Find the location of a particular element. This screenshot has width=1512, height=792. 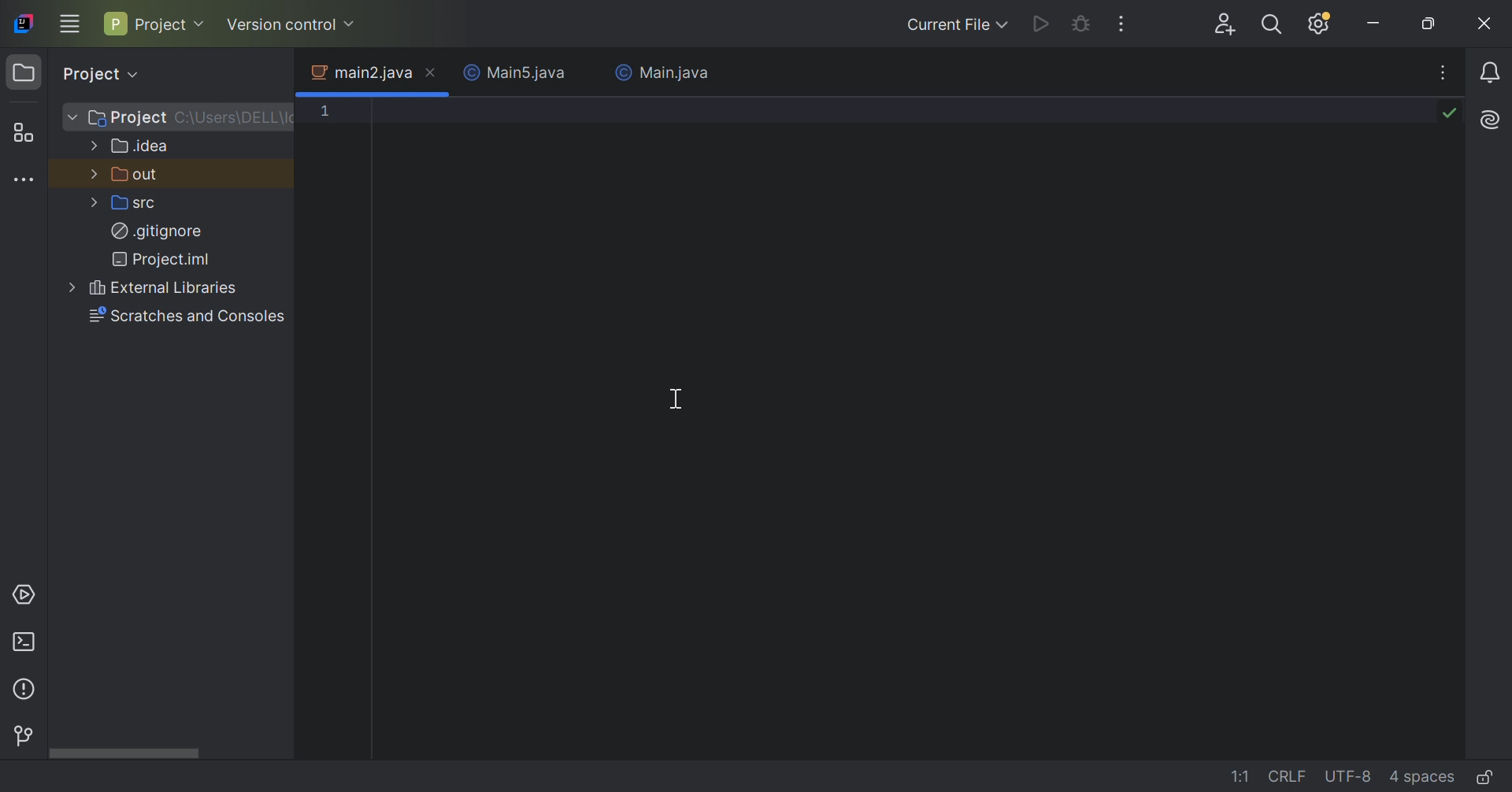

Terminal is located at coordinates (27, 642).